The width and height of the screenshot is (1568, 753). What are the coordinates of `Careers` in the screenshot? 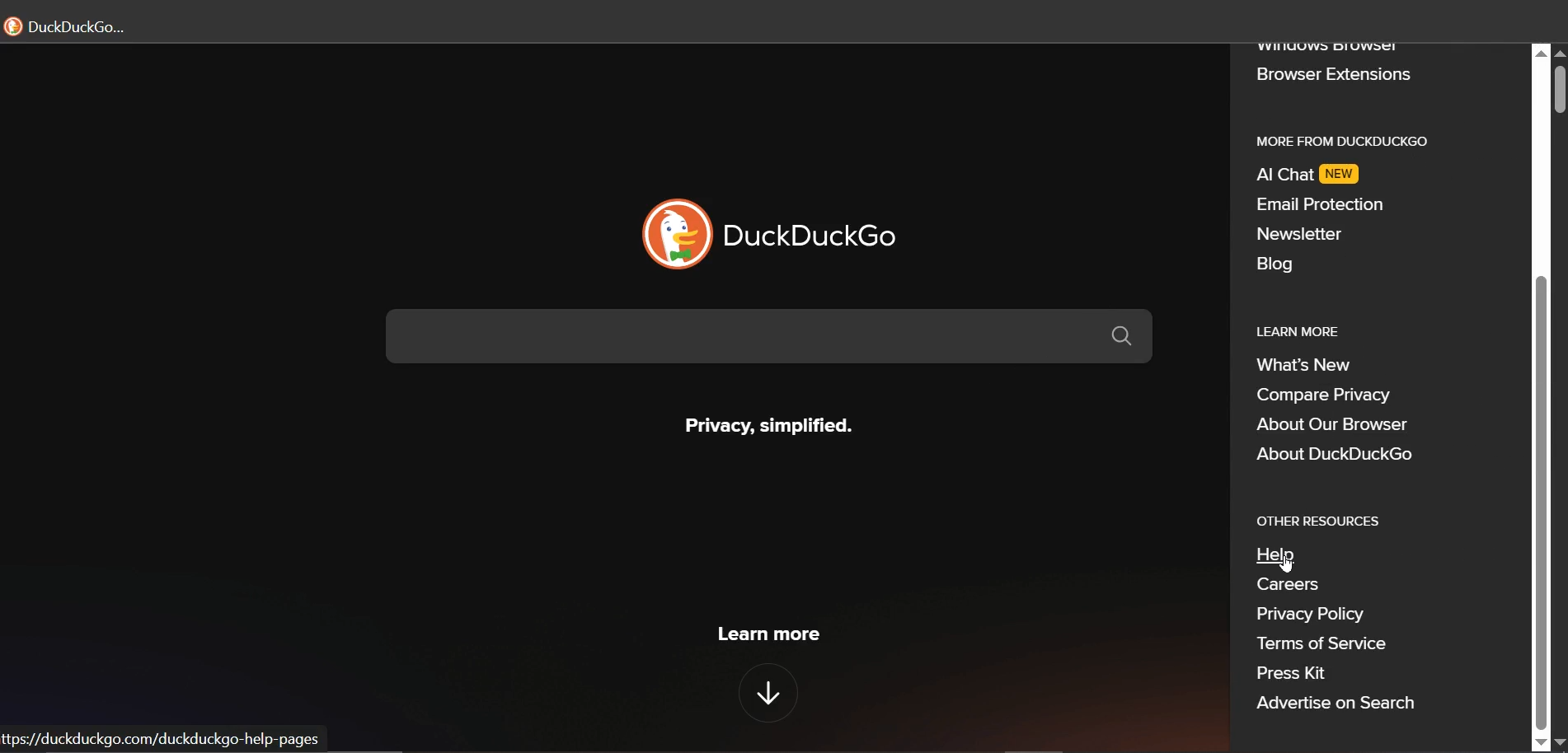 It's located at (1290, 587).